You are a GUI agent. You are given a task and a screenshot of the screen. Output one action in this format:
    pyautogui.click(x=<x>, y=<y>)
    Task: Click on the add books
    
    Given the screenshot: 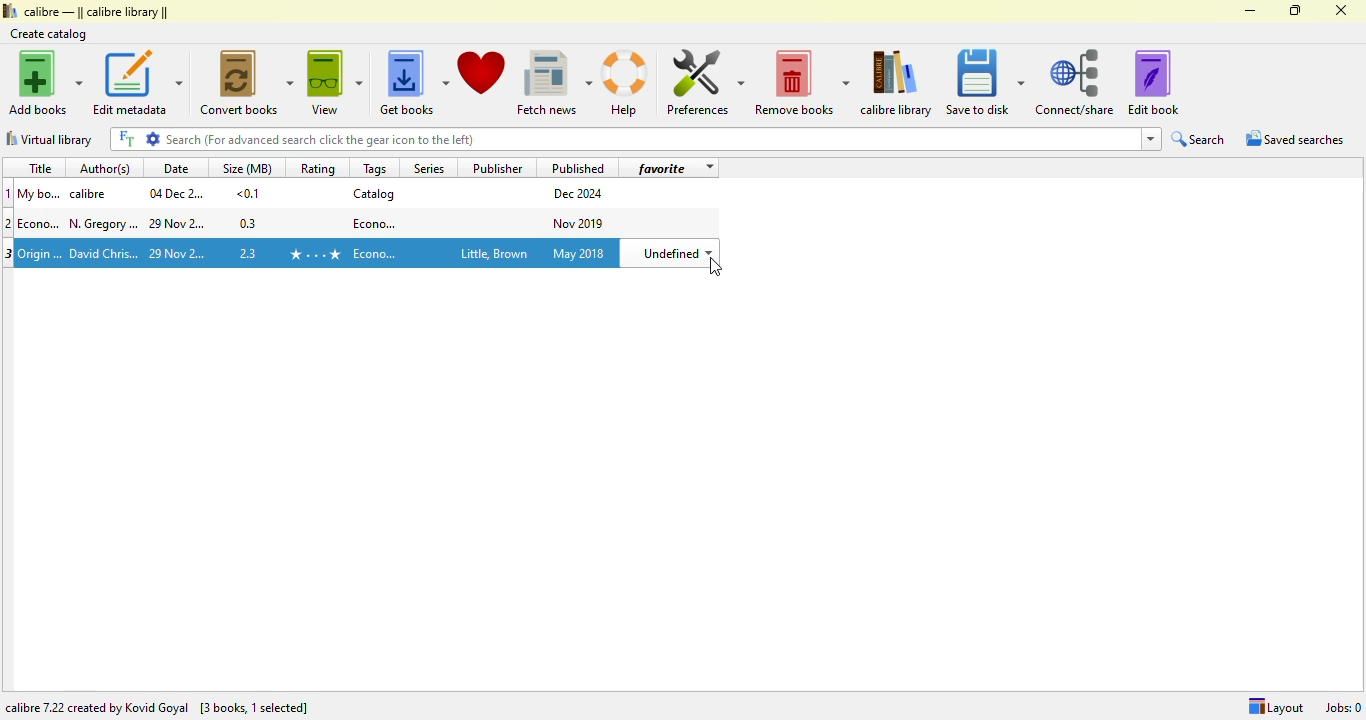 What is the action you would take?
    pyautogui.click(x=46, y=82)
    